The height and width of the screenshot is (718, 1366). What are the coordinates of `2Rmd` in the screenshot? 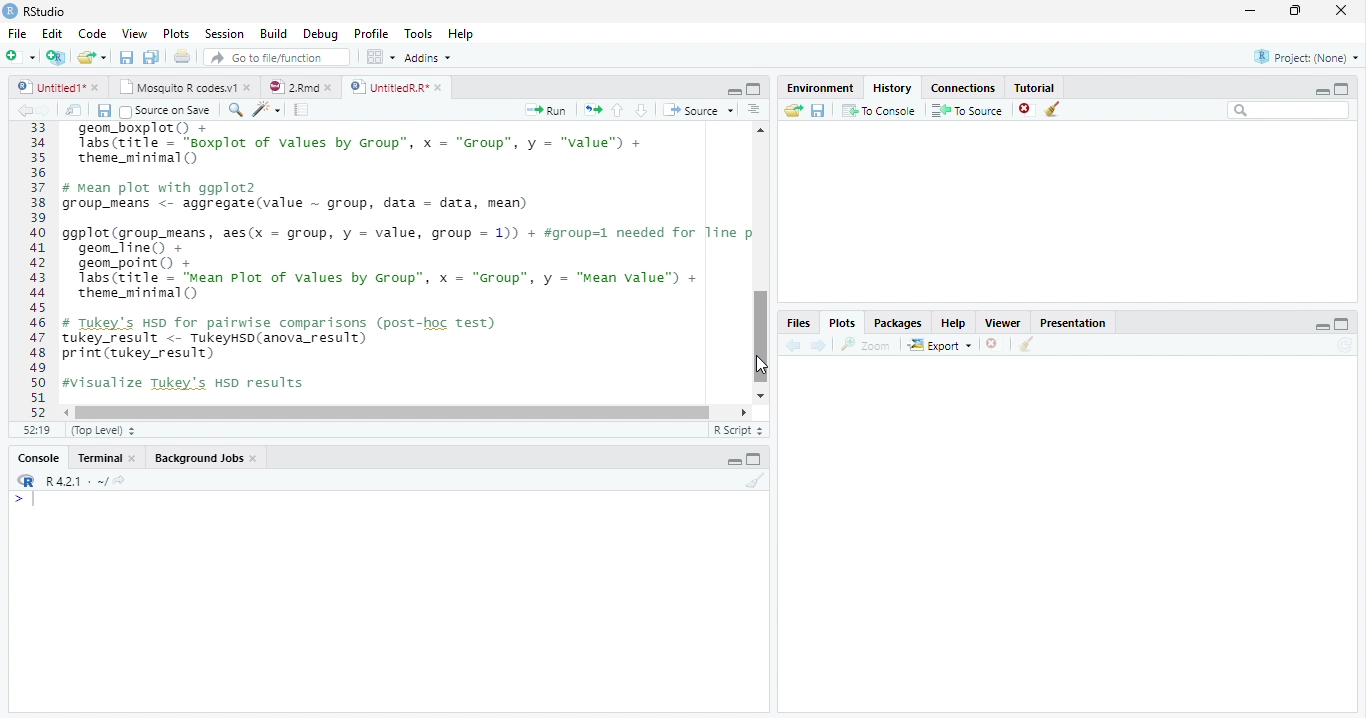 It's located at (299, 85).